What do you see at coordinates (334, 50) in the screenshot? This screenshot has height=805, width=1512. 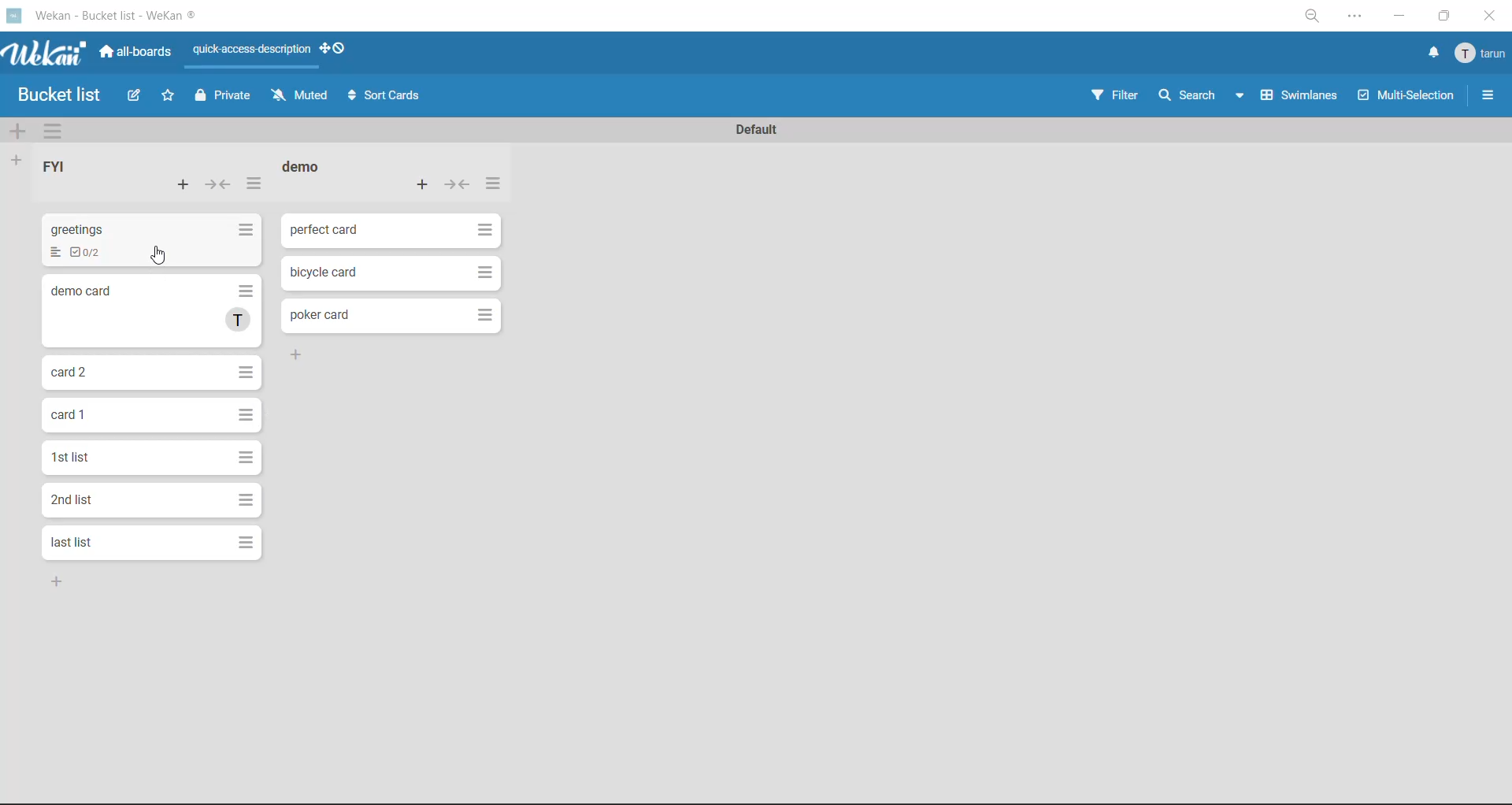 I see `show desktop drag handles` at bounding box center [334, 50].